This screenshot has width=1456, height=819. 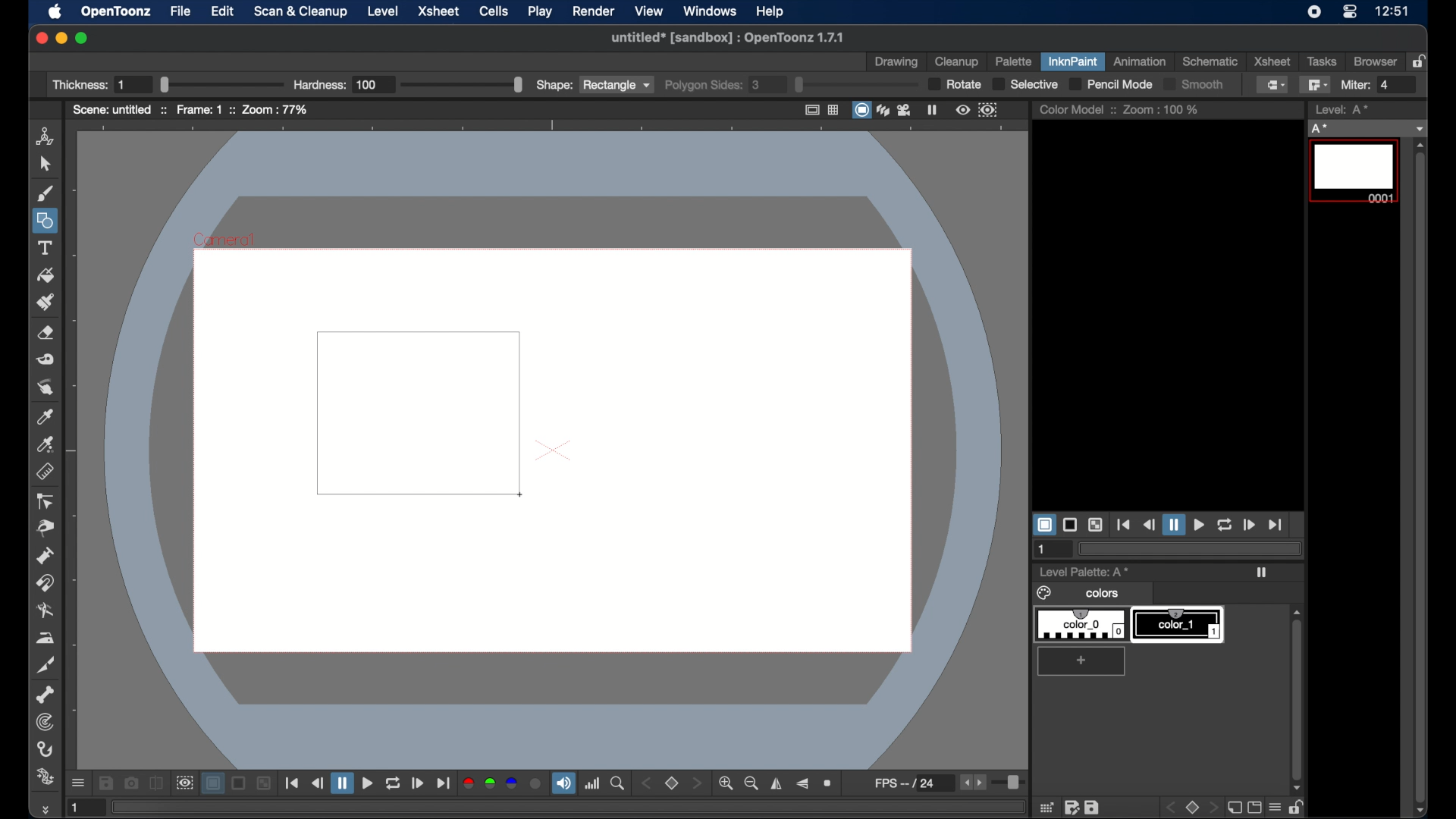 I want to click on frame: 1, so click(x=203, y=109).